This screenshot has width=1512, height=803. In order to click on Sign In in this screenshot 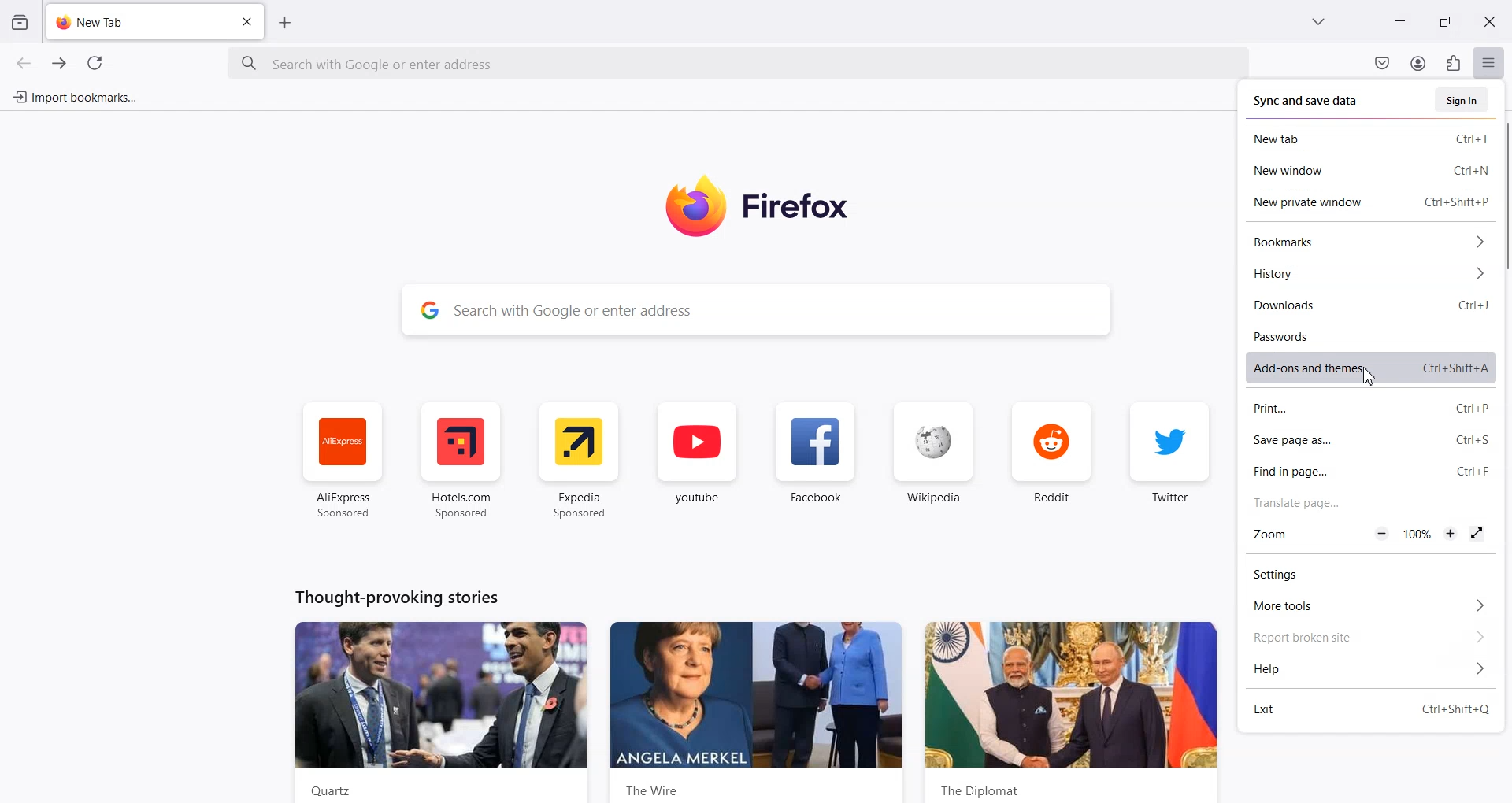, I will do `click(1461, 99)`.